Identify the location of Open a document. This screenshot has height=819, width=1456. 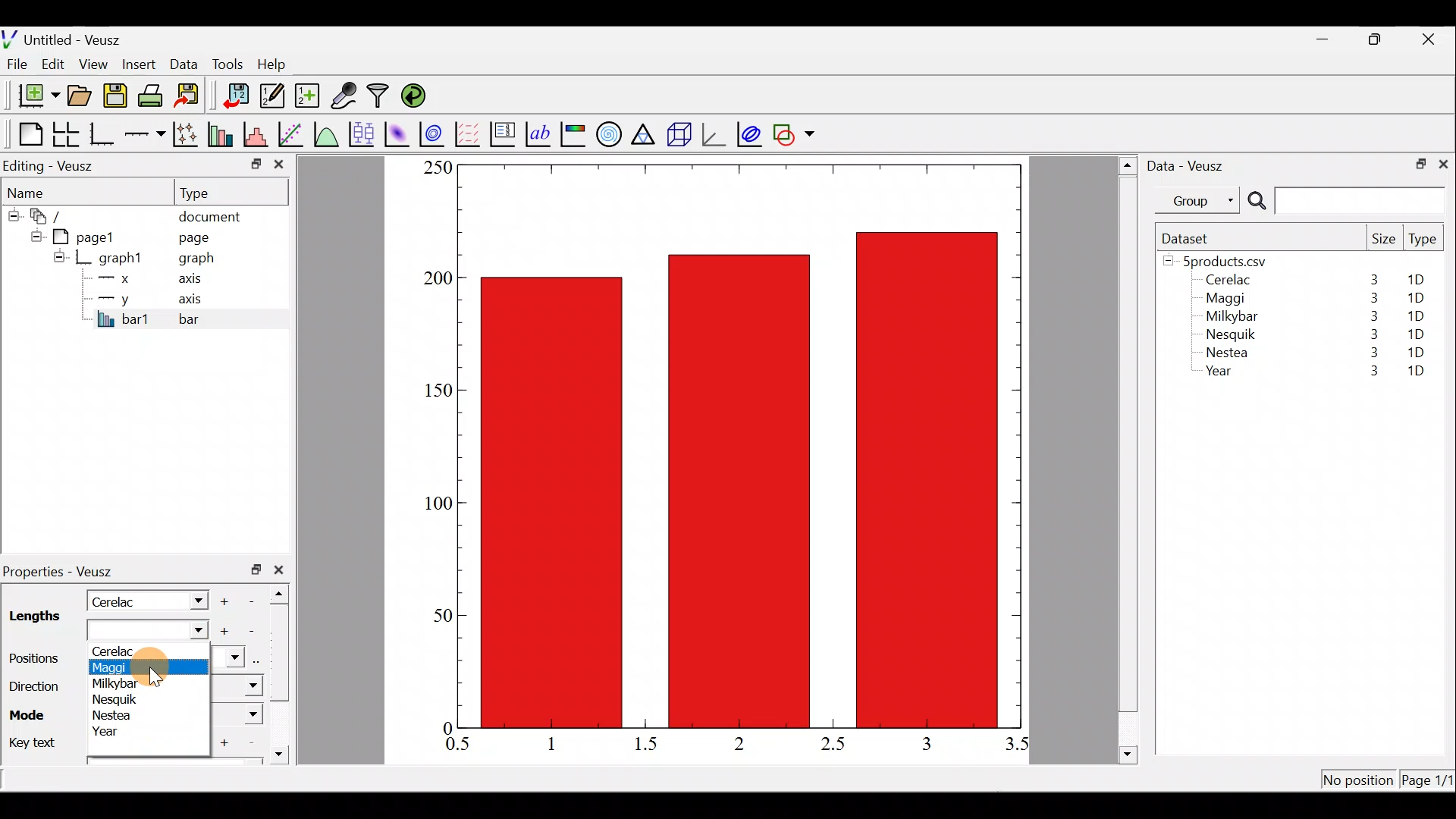
(81, 97).